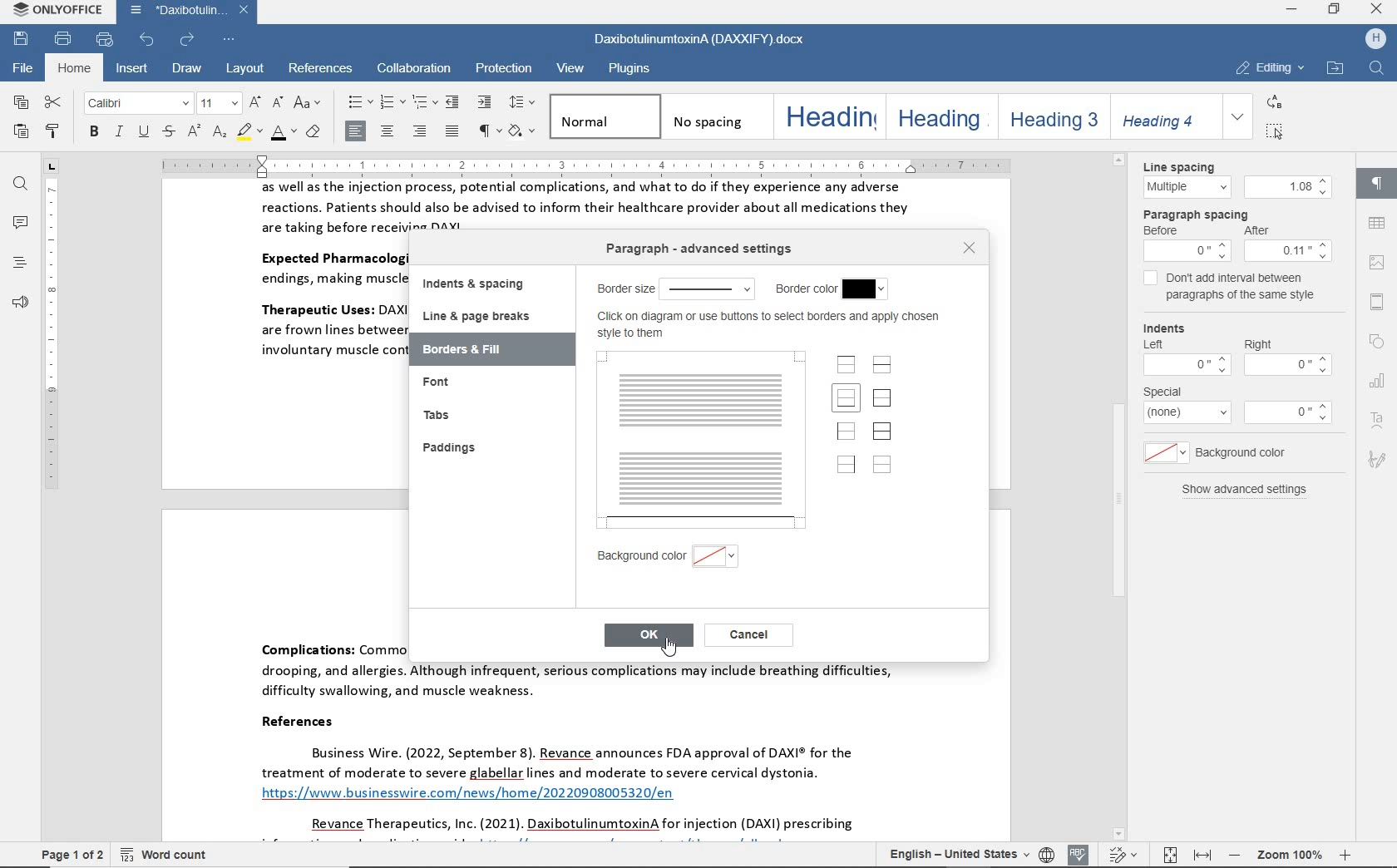 The image size is (1397, 868). Describe the element at coordinates (956, 855) in the screenshot. I see `text language` at that location.